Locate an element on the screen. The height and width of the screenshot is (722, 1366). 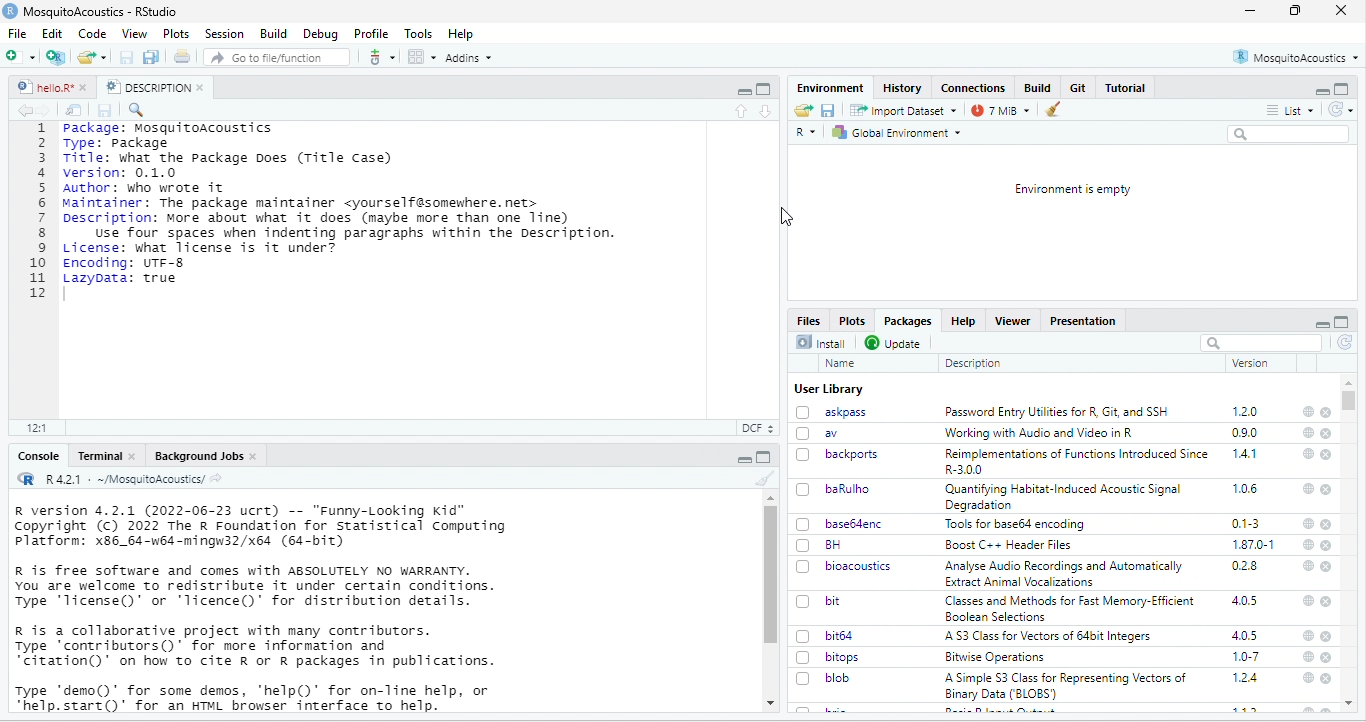
Load workspace is located at coordinates (803, 110).